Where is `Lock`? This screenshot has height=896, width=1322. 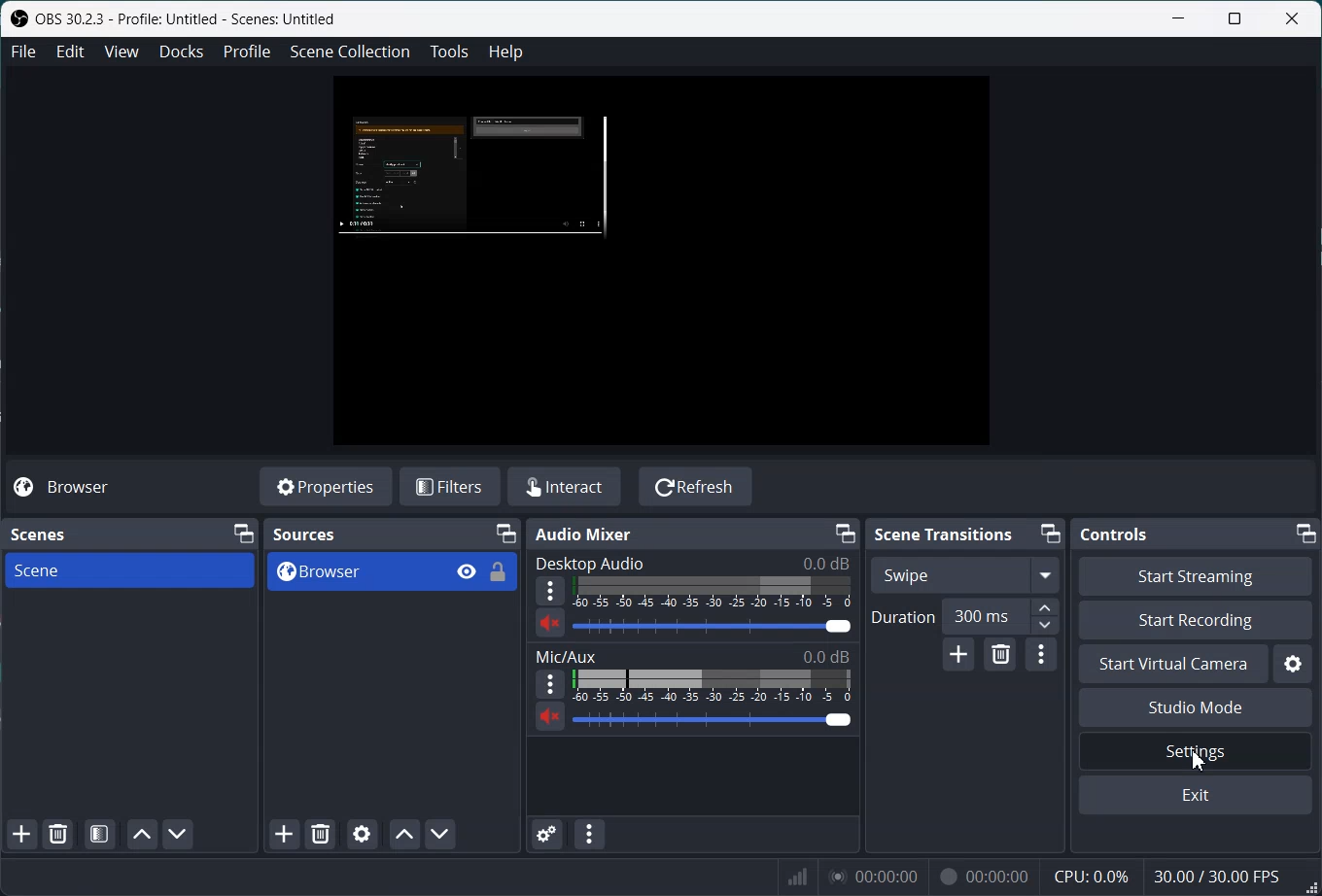
Lock is located at coordinates (499, 571).